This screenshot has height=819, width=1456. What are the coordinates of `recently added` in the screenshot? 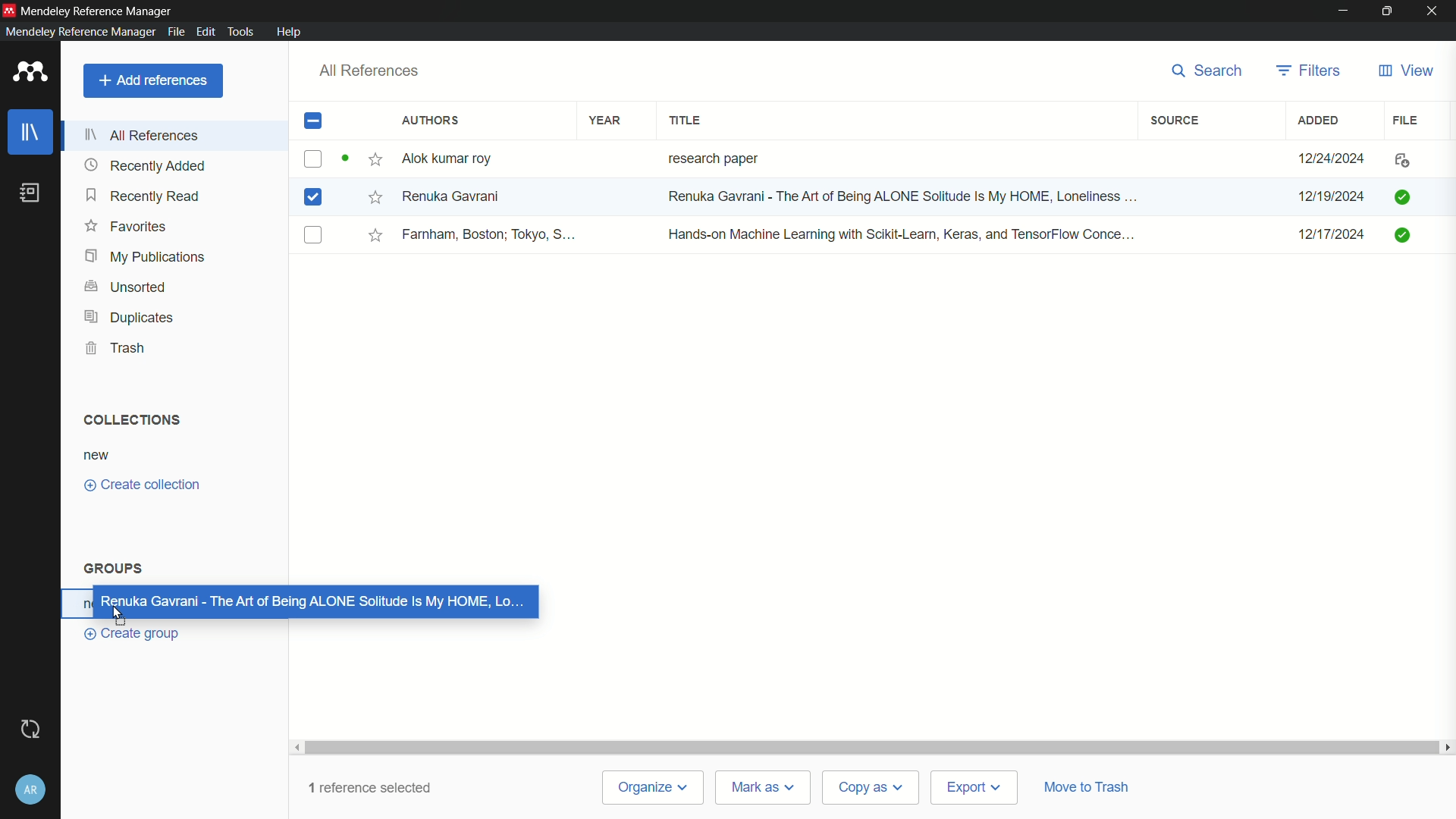 It's located at (146, 165).